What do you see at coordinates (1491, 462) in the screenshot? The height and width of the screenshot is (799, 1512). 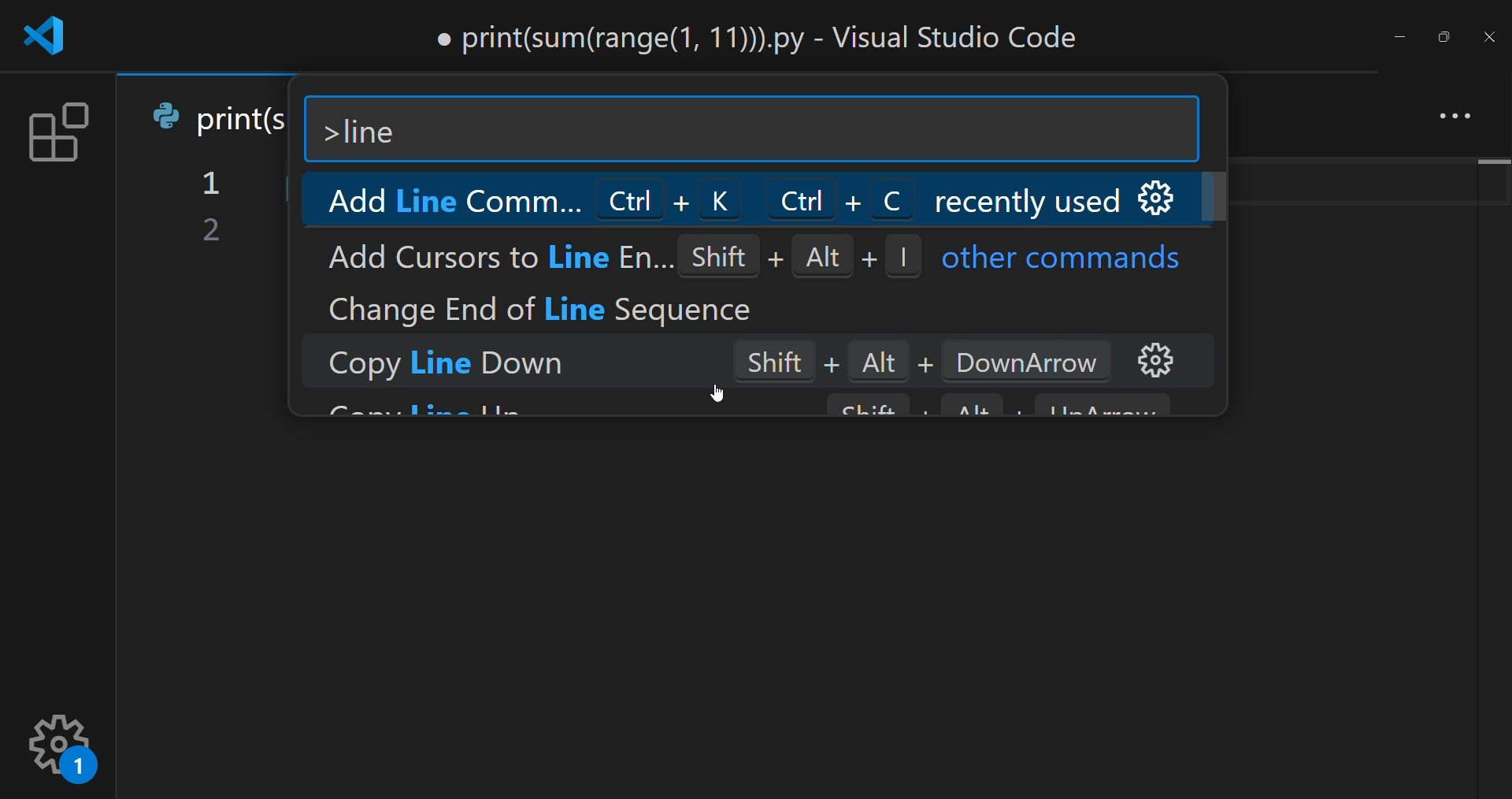 I see `scroll bar` at bounding box center [1491, 462].